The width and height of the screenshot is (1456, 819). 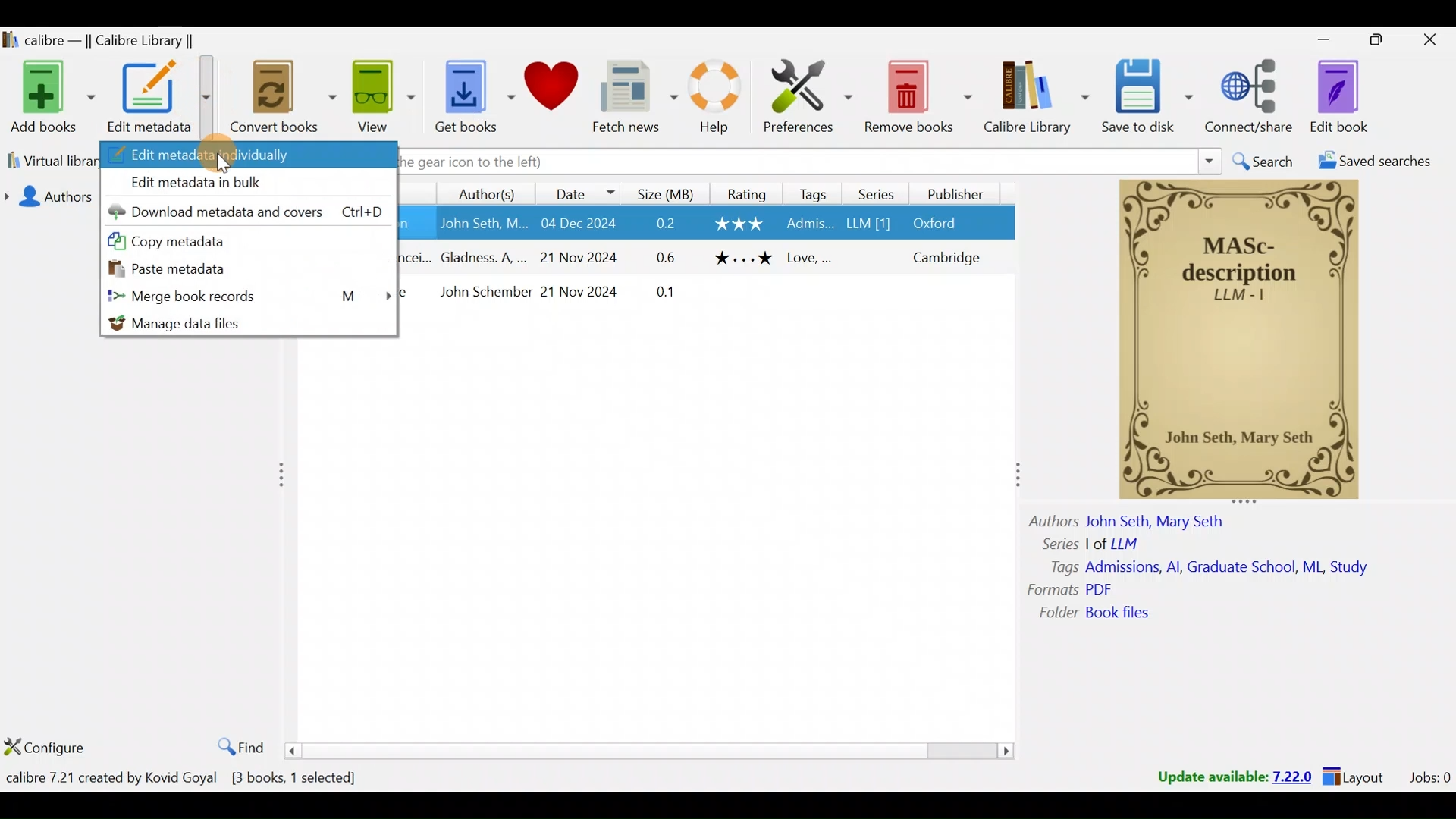 What do you see at coordinates (1103, 588) in the screenshot?
I see `` at bounding box center [1103, 588].